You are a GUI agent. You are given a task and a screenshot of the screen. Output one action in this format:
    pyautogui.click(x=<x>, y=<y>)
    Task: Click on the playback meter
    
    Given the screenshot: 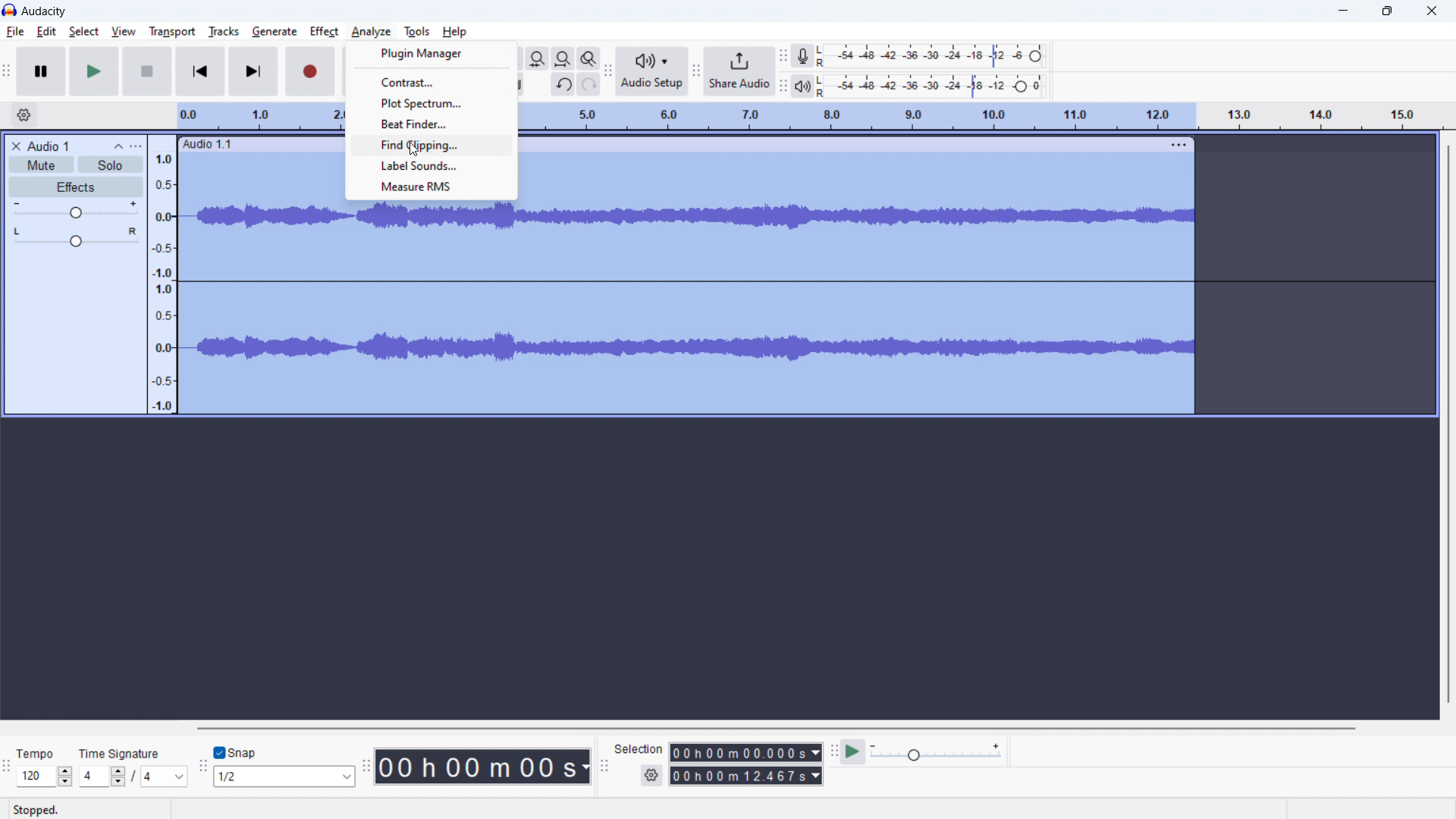 What is the action you would take?
    pyautogui.click(x=803, y=86)
    